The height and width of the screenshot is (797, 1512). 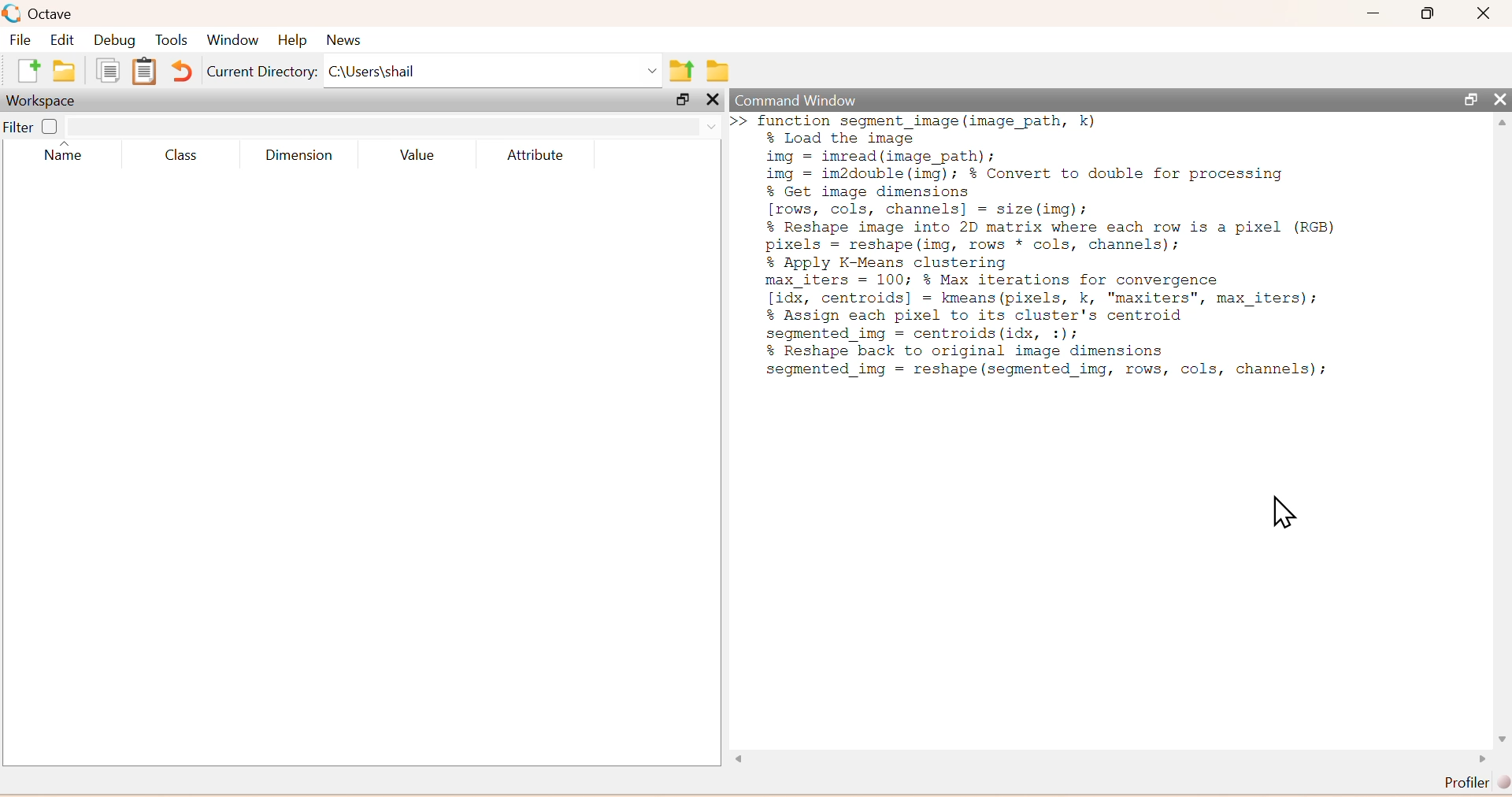 I want to click on , so click(x=746, y=759).